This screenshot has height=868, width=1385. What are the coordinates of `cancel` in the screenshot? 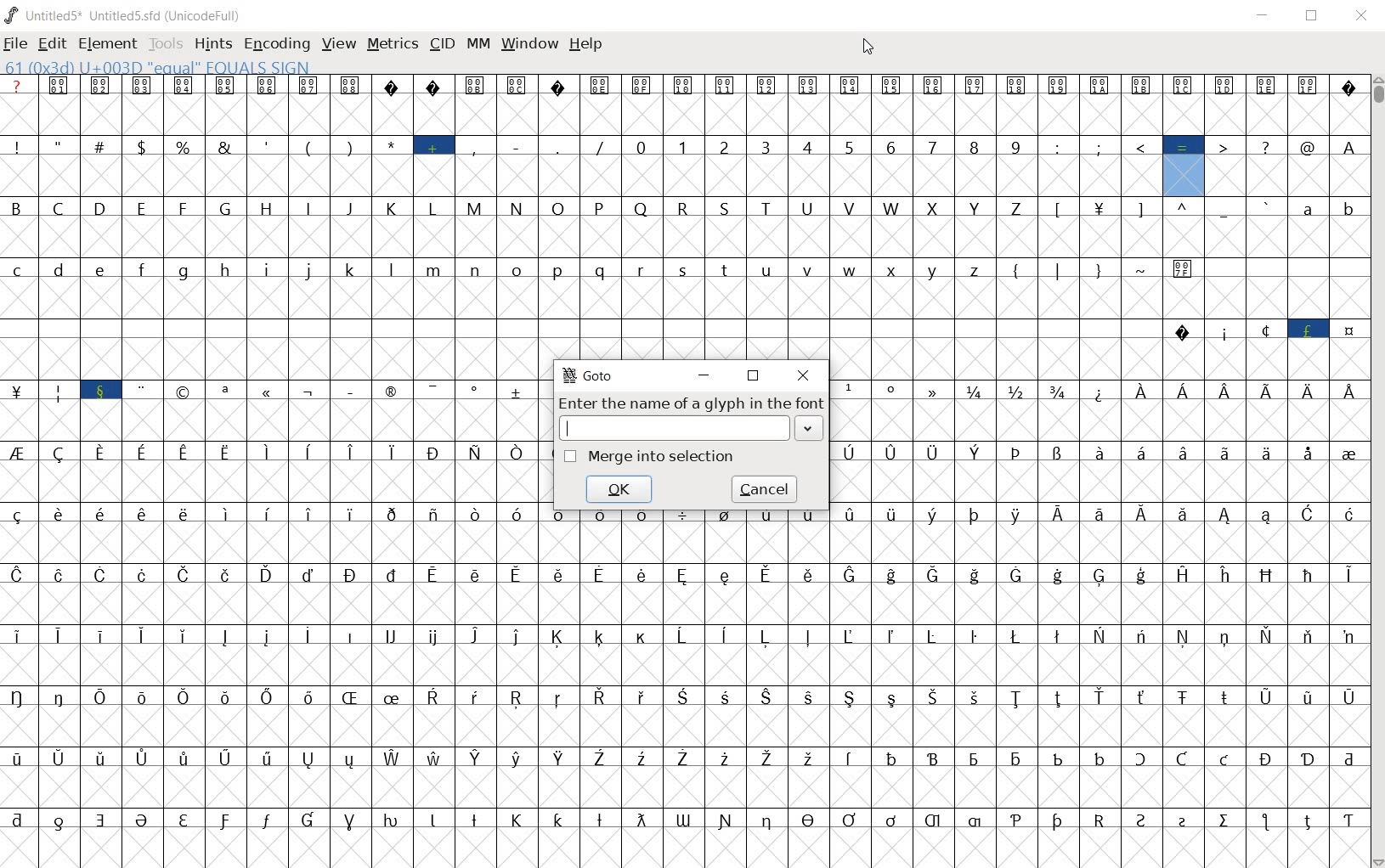 It's located at (763, 491).